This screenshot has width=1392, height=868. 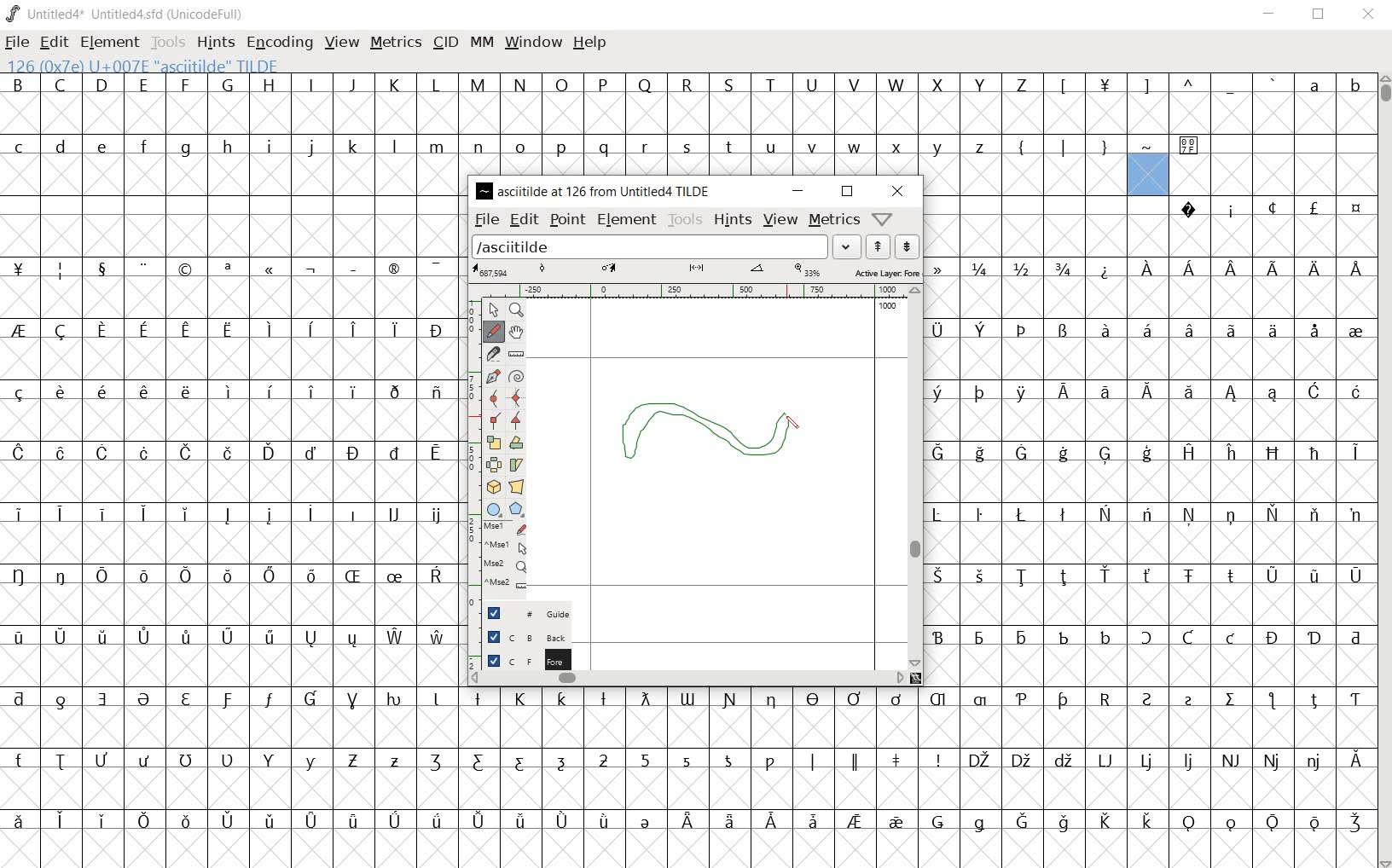 What do you see at coordinates (536, 42) in the screenshot?
I see `WINDOW` at bounding box center [536, 42].